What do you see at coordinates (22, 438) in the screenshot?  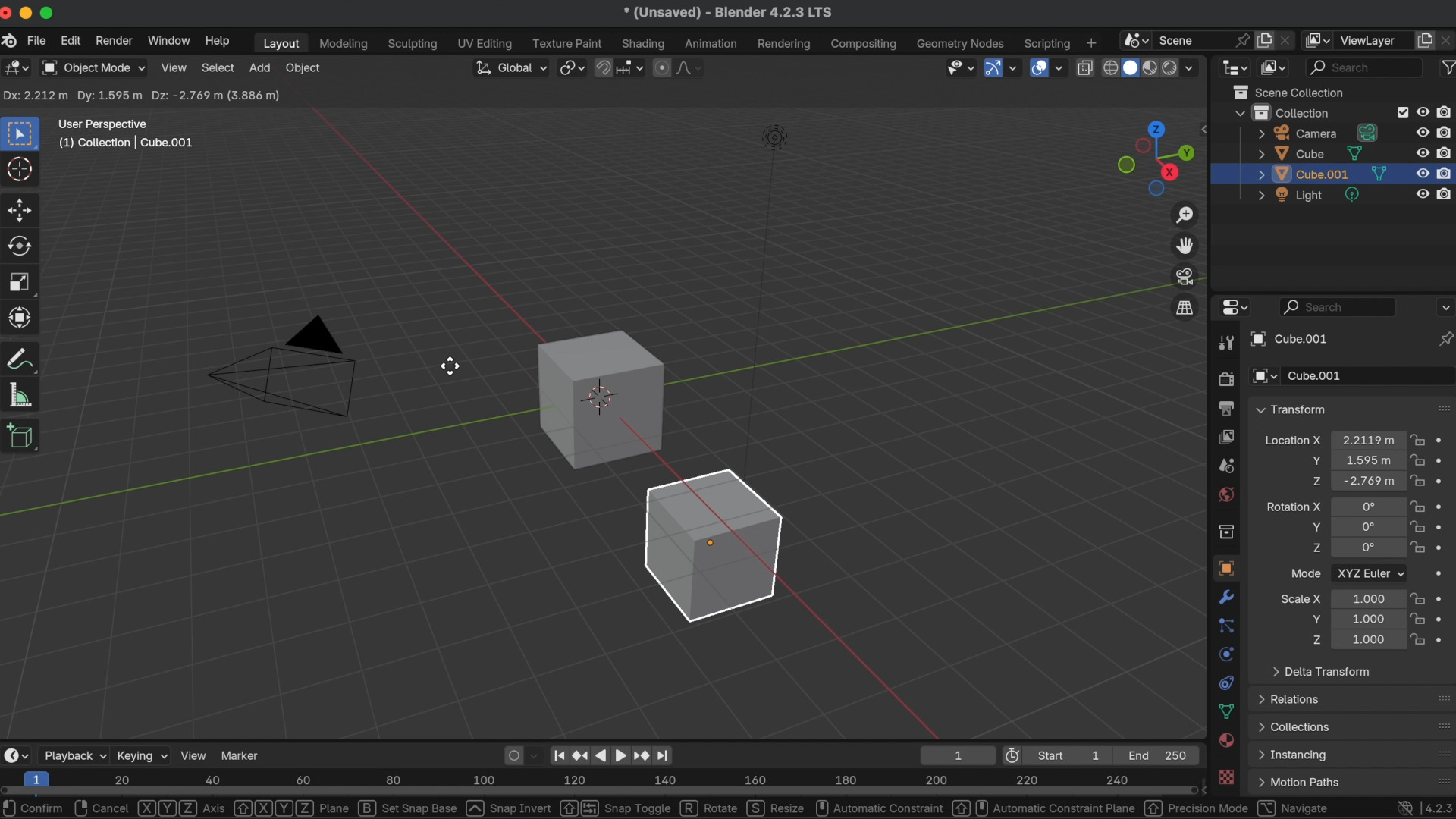 I see `add cube` at bounding box center [22, 438].